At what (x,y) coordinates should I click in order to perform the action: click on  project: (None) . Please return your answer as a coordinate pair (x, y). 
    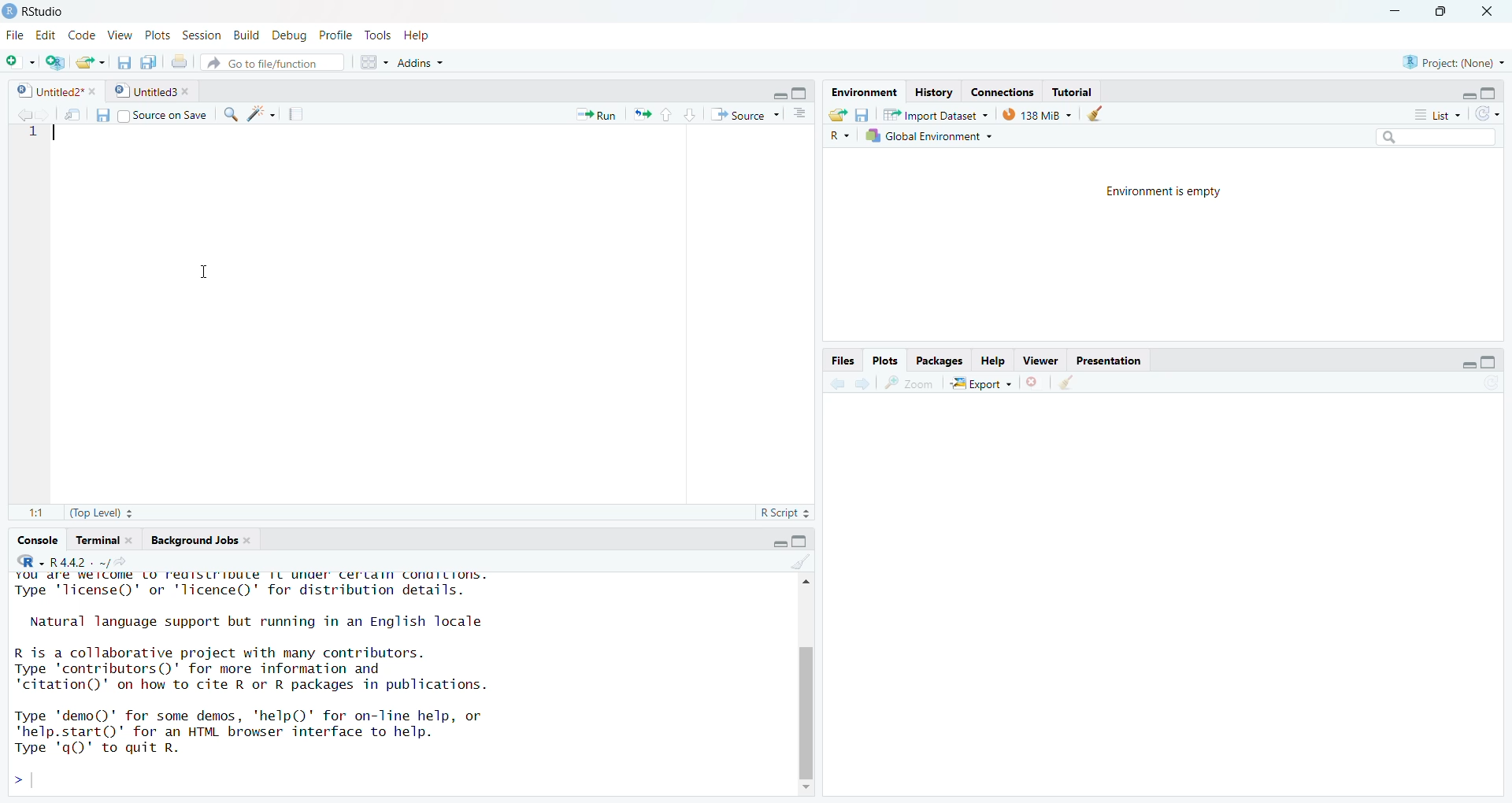
    Looking at the image, I should click on (1457, 61).